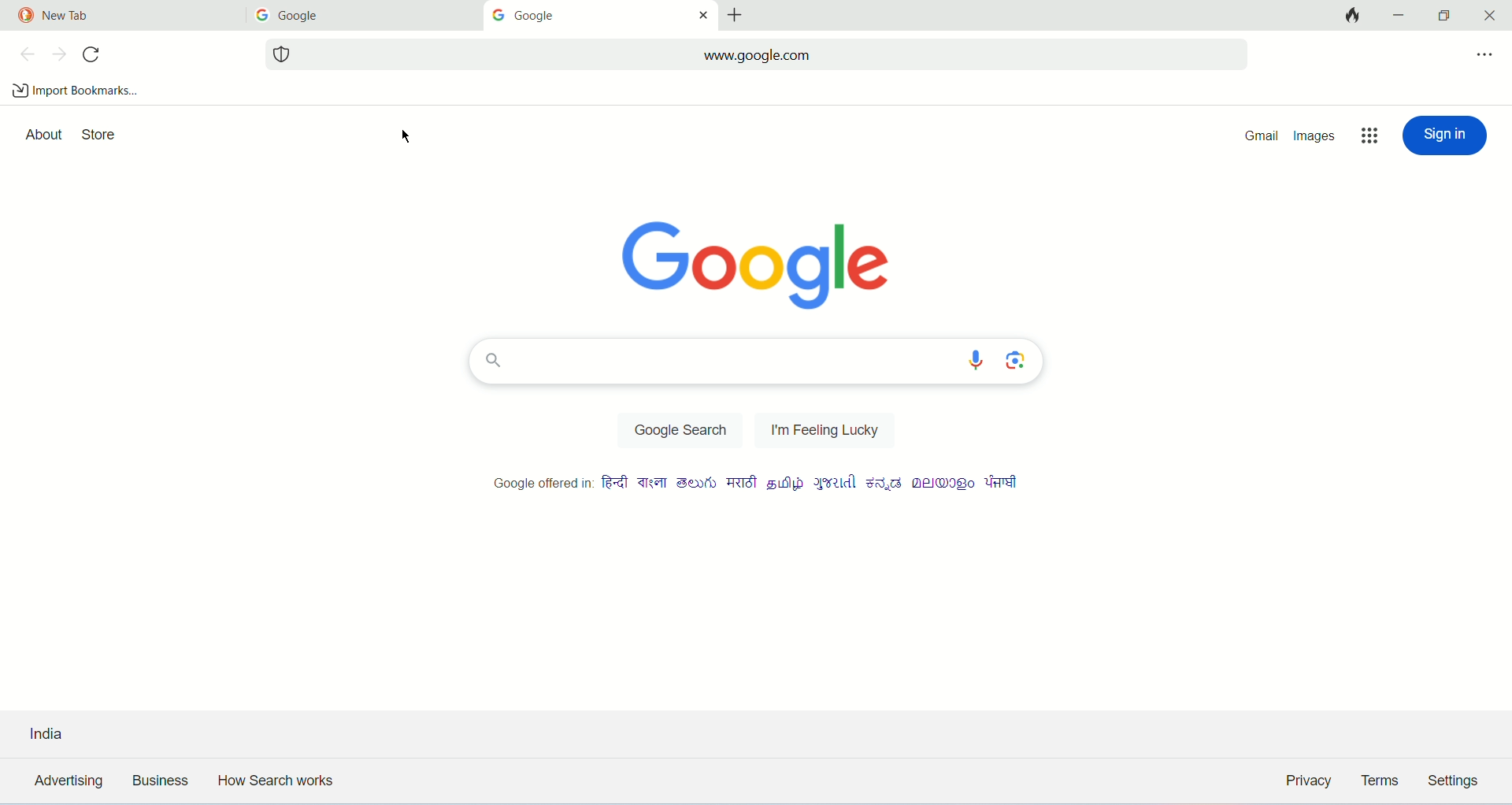 This screenshot has height=805, width=1512. I want to click on advertising, so click(65, 781).